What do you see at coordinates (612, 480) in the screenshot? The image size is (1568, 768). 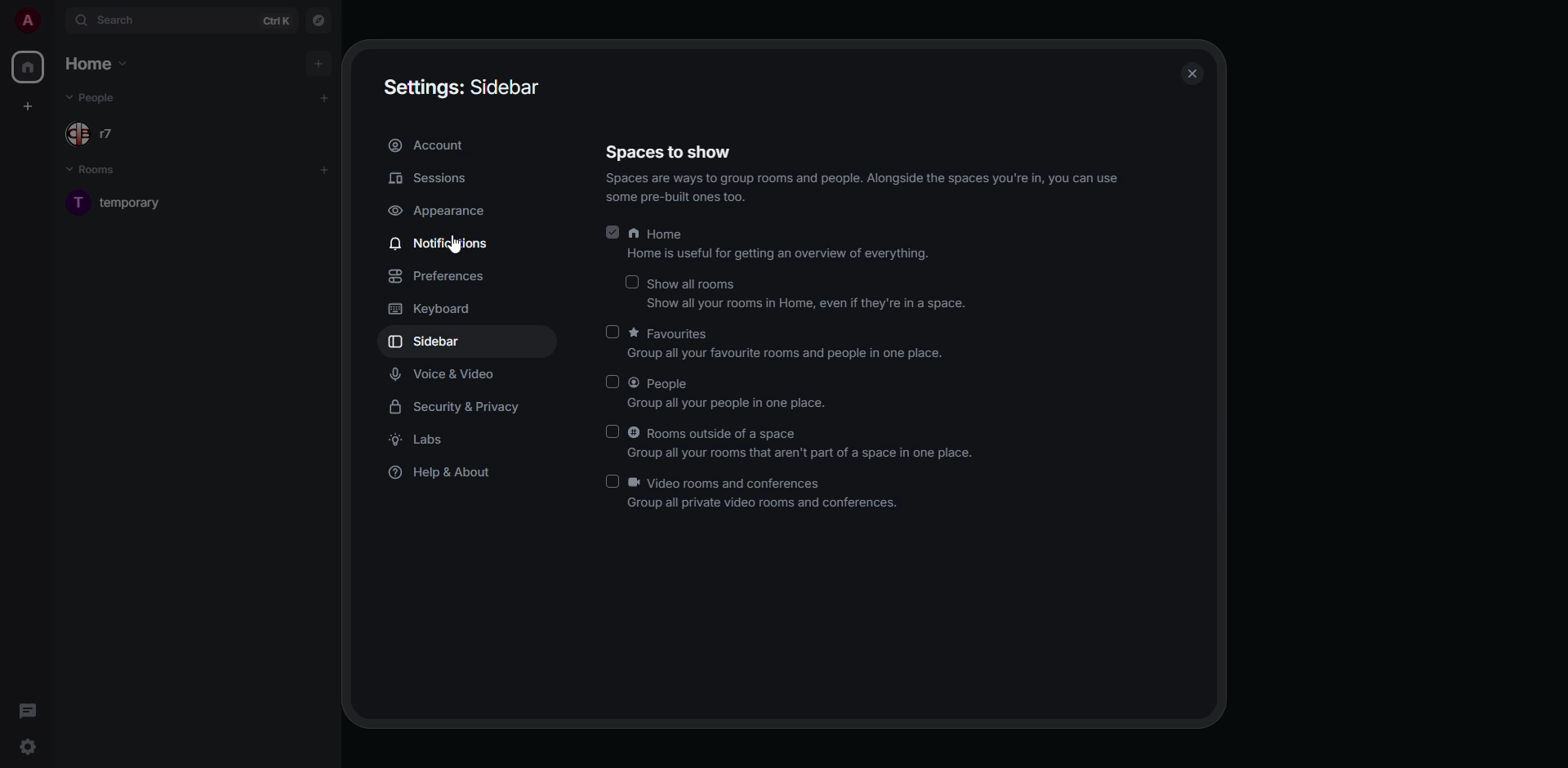 I see `click to enable` at bounding box center [612, 480].